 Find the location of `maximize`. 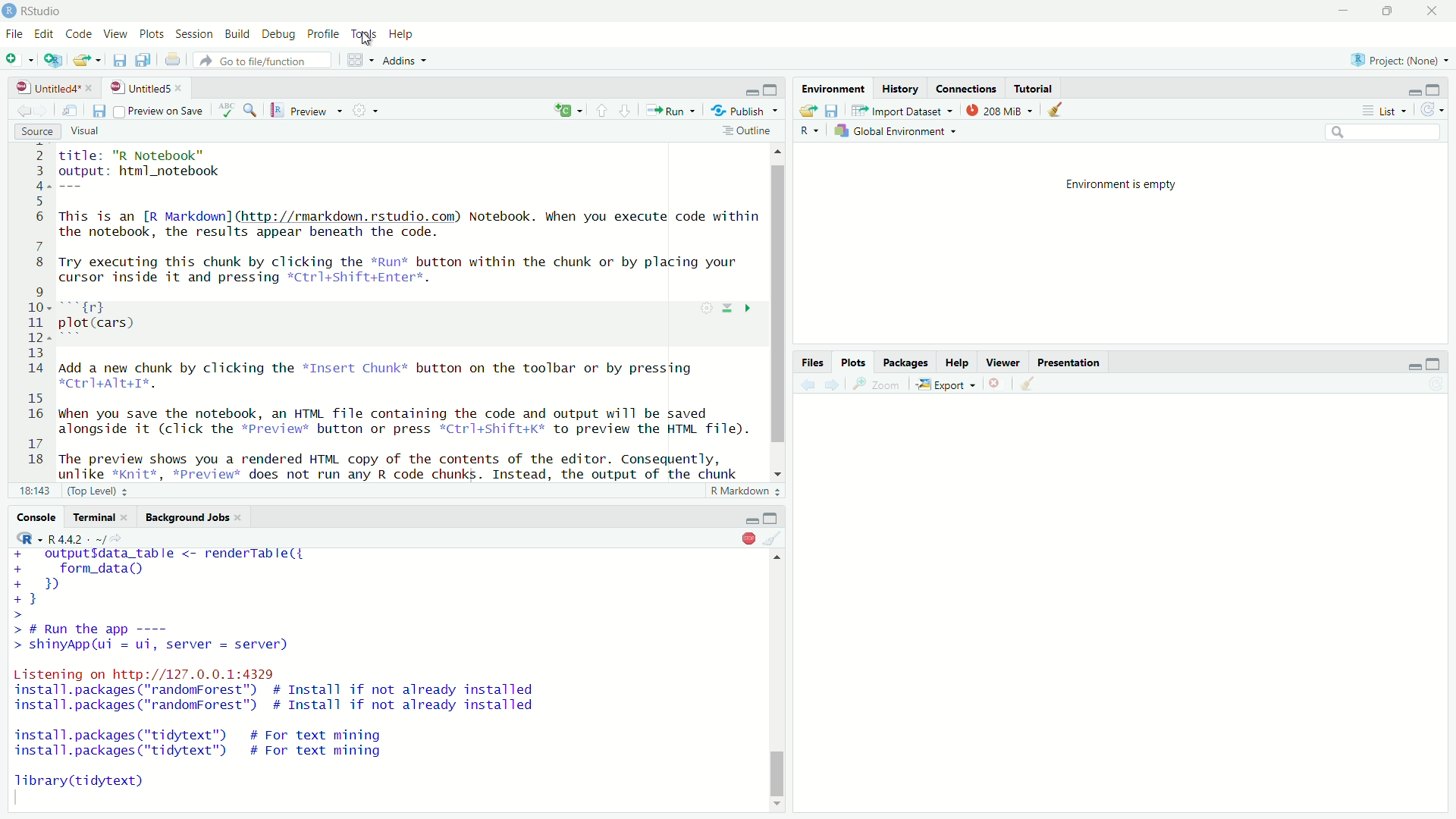

maximize is located at coordinates (1433, 365).